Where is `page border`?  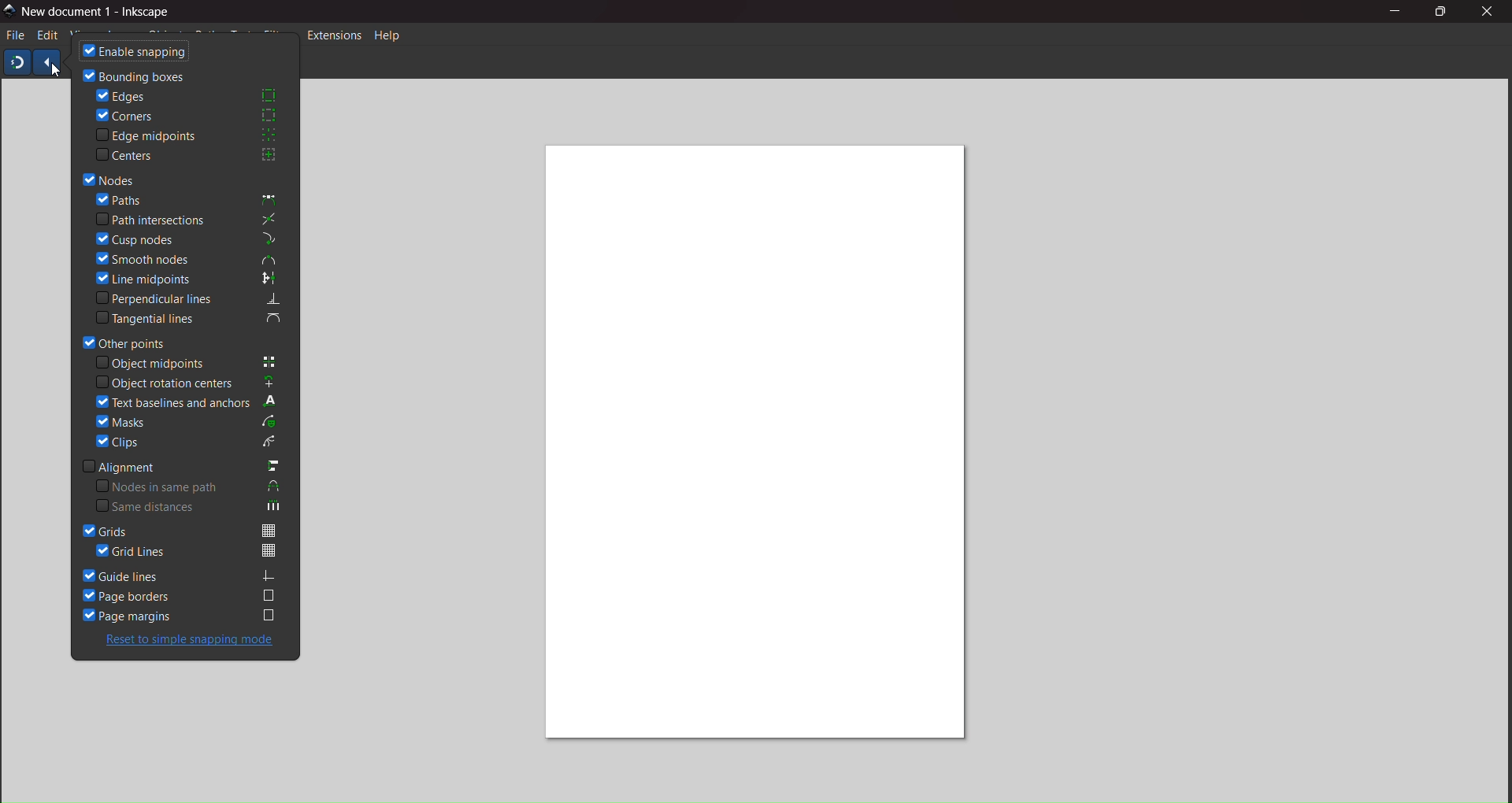
page border is located at coordinates (180, 596).